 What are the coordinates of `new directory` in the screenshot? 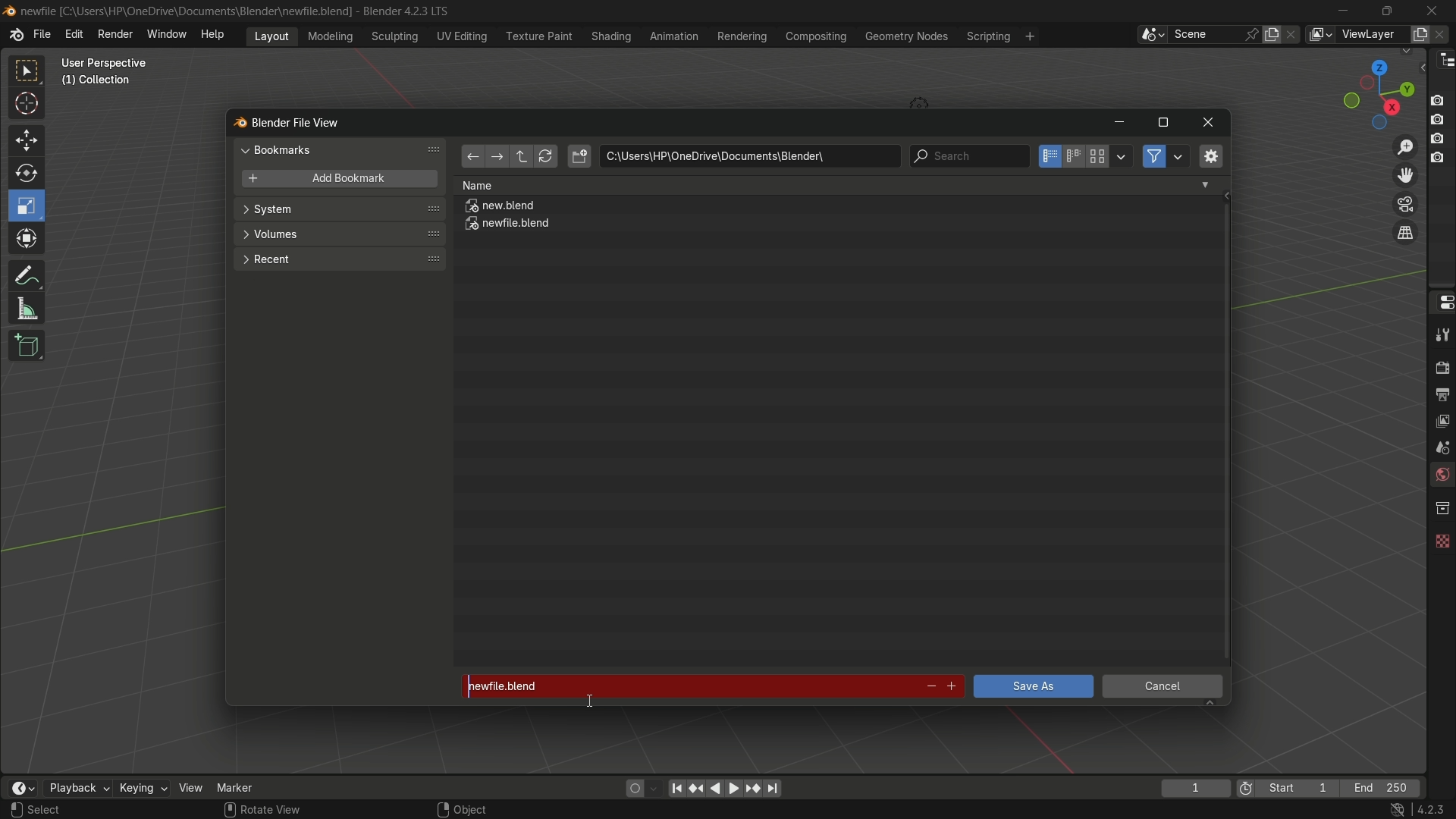 It's located at (579, 156).